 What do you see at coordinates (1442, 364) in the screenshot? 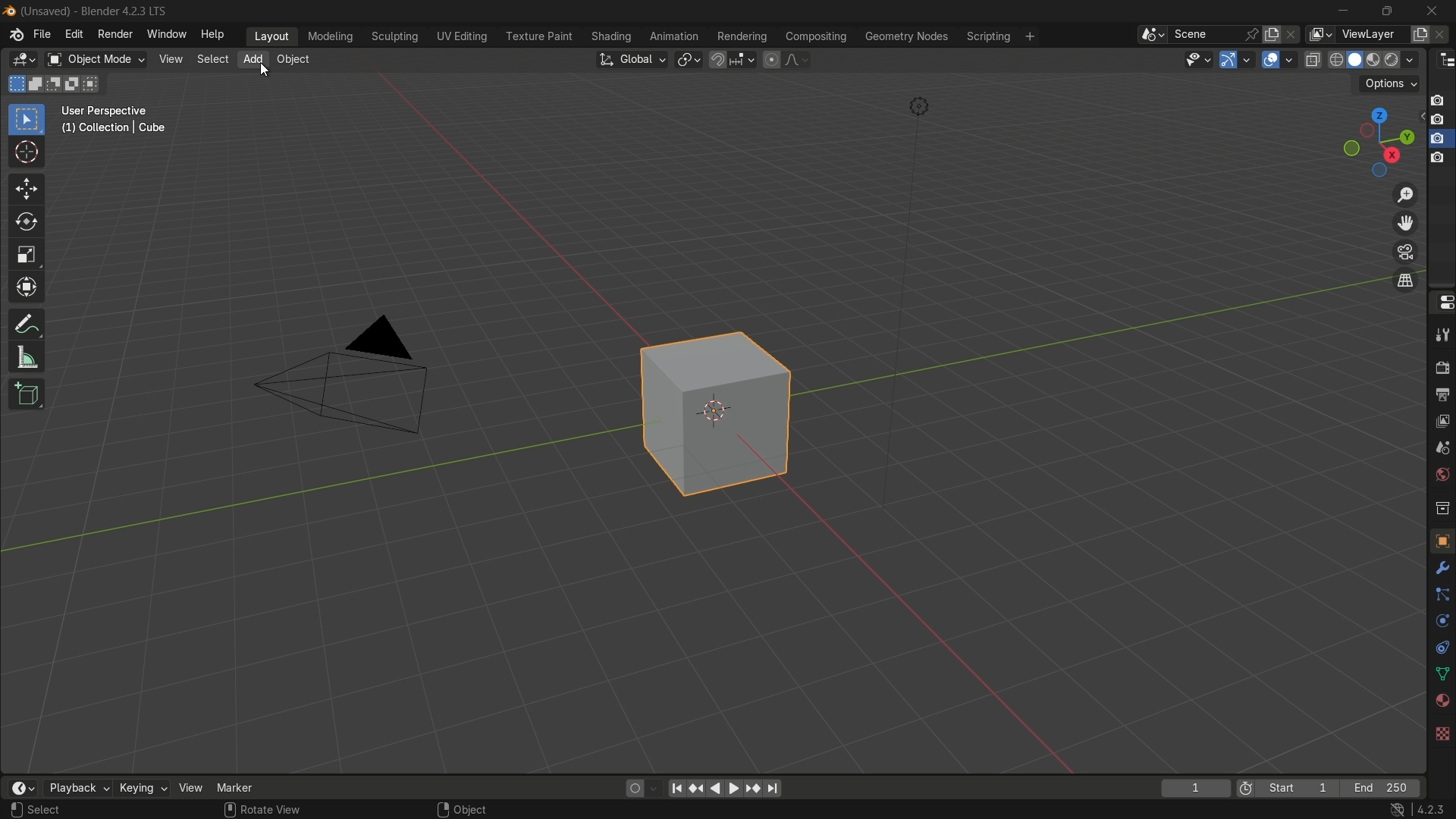
I see `render` at bounding box center [1442, 364].